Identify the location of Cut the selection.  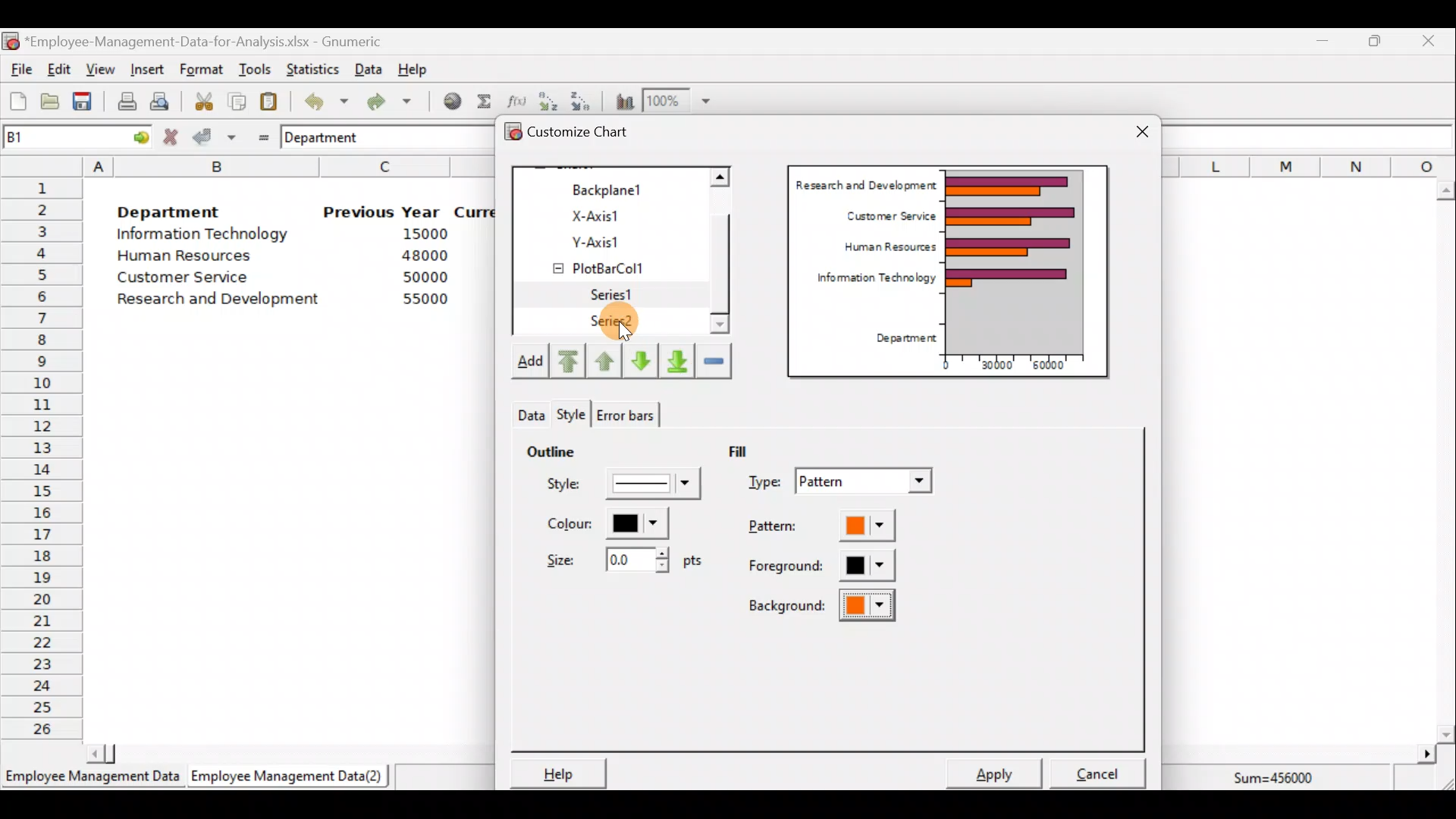
(199, 99).